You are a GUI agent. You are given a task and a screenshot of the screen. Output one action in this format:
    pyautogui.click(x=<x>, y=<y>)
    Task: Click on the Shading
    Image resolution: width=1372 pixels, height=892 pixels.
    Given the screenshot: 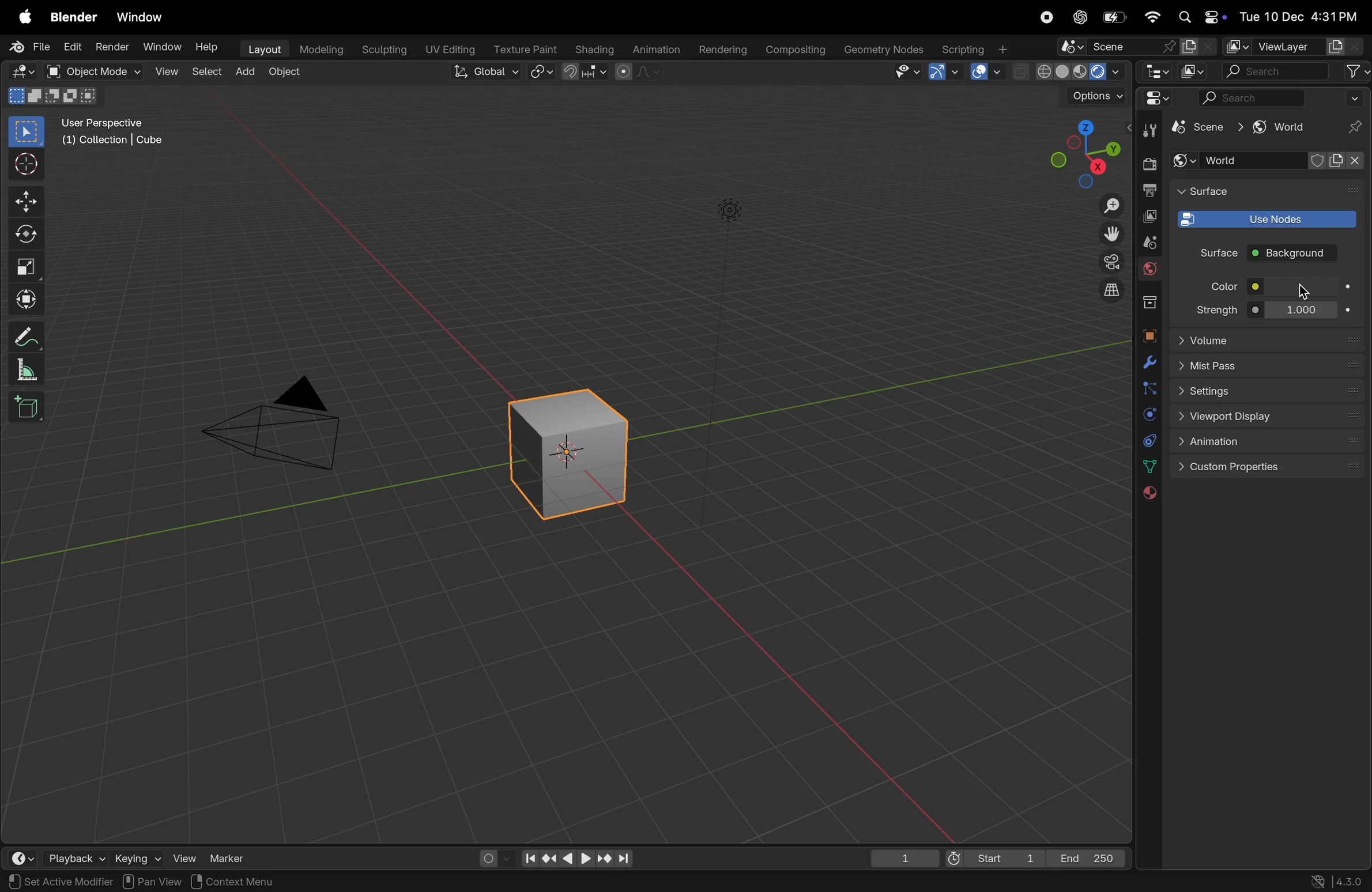 What is the action you would take?
    pyautogui.click(x=592, y=49)
    